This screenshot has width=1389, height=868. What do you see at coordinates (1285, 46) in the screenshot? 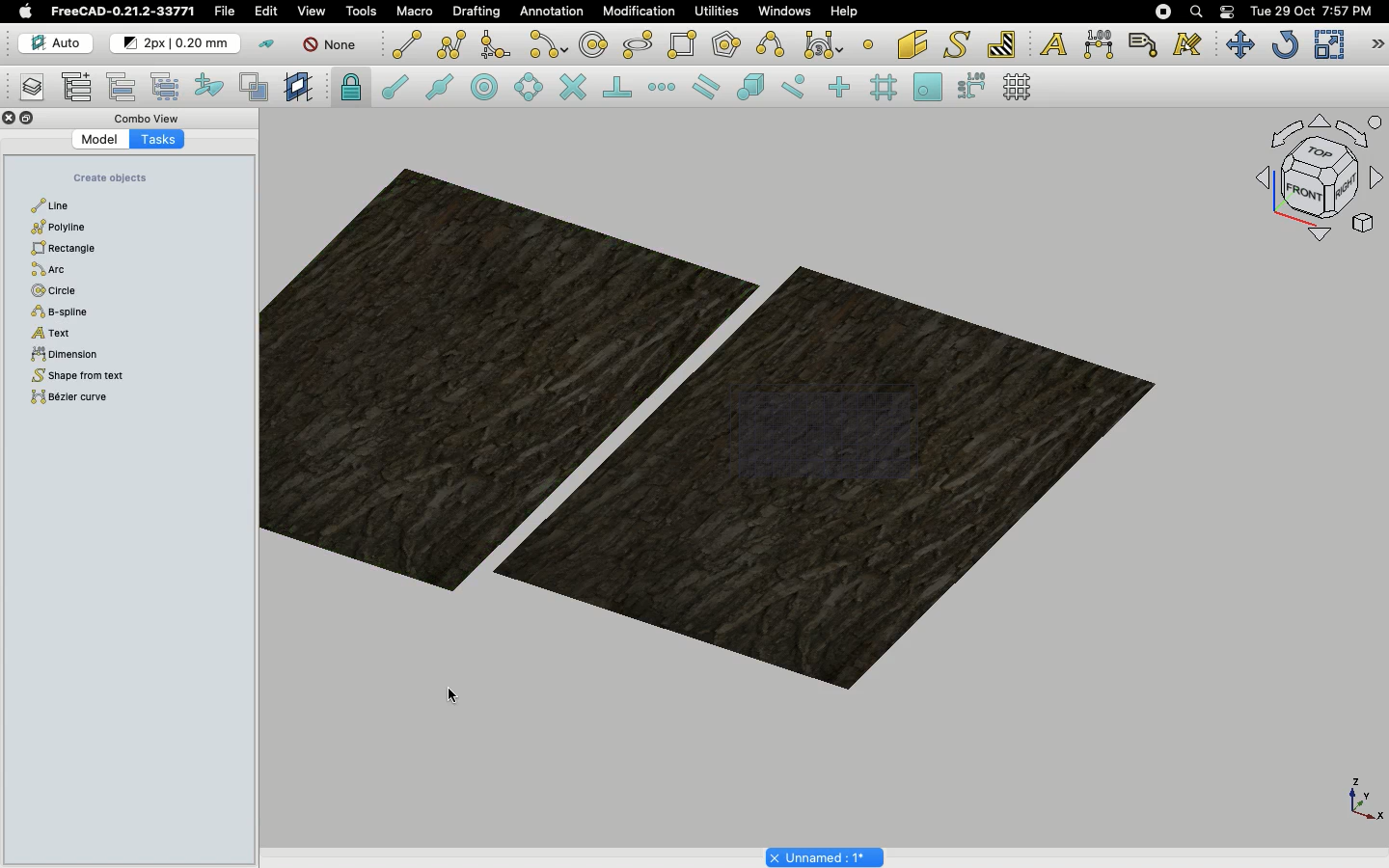
I see `Refresh` at bounding box center [1285, 46].